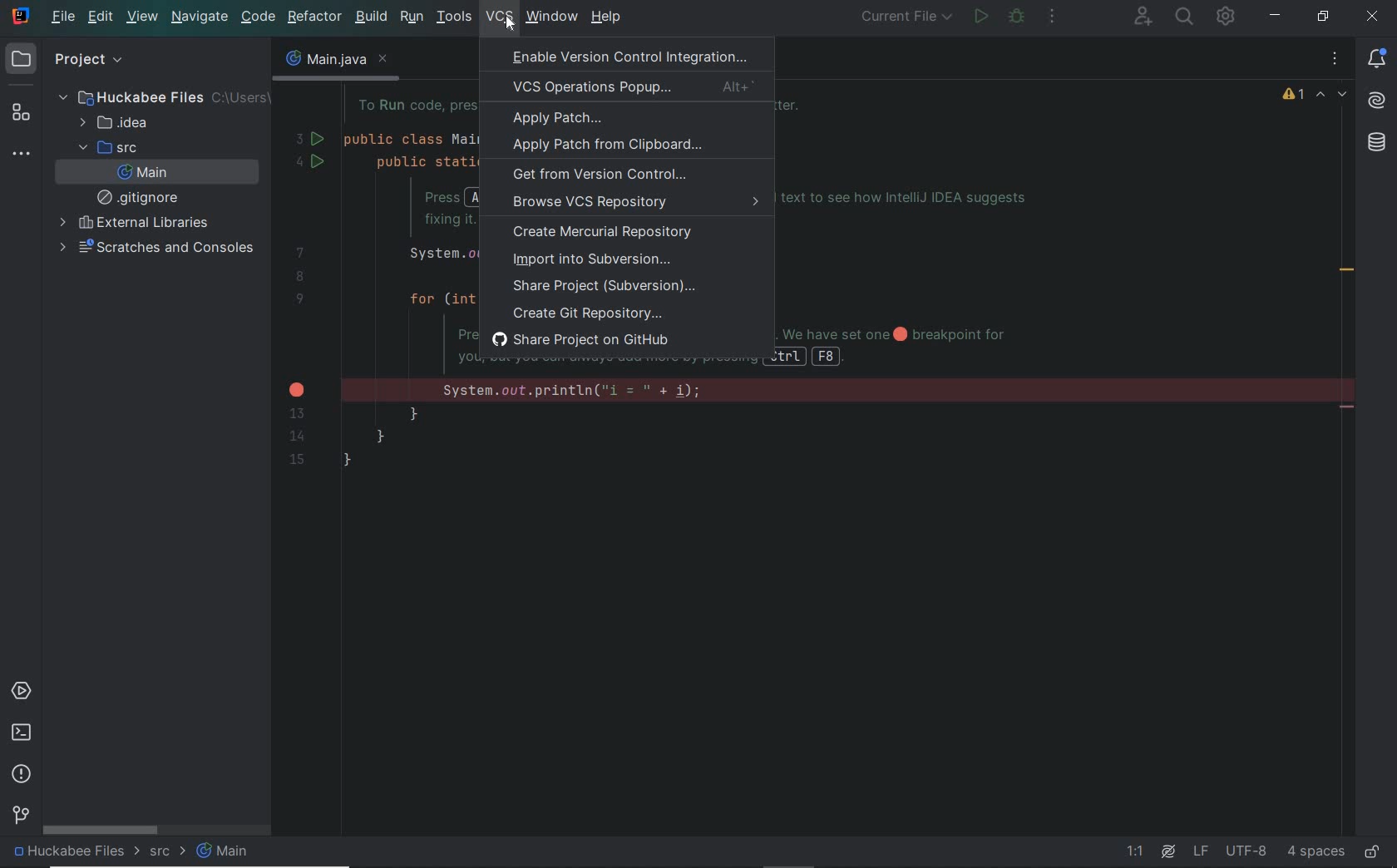  I want to click on import into subversion, so click(590, 261).